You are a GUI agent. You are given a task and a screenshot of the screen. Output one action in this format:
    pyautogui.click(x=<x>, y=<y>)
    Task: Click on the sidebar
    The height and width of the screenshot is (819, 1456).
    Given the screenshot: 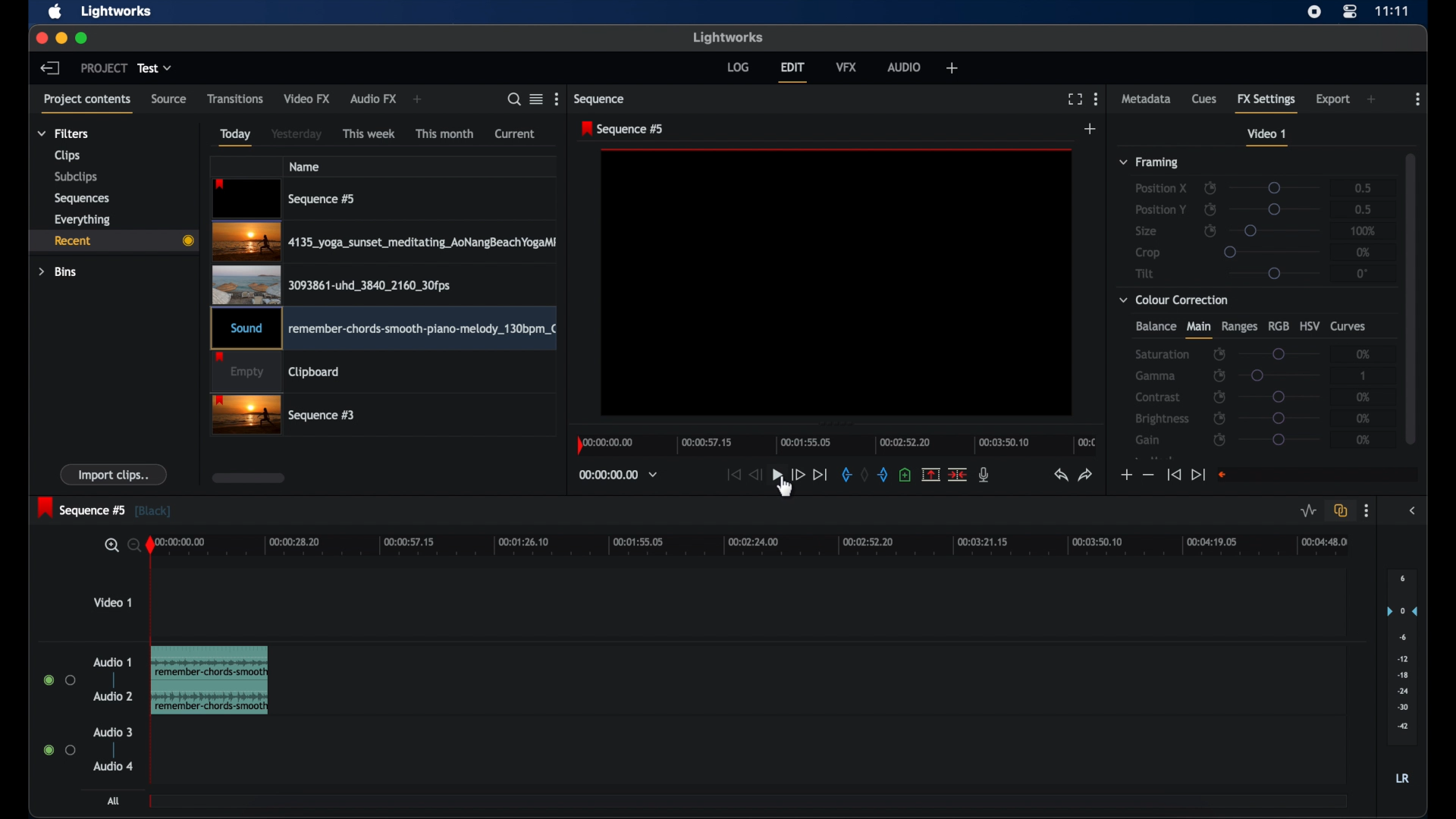 What is the action you would take?
    pyautogui.click(x=1412, y=511)
    